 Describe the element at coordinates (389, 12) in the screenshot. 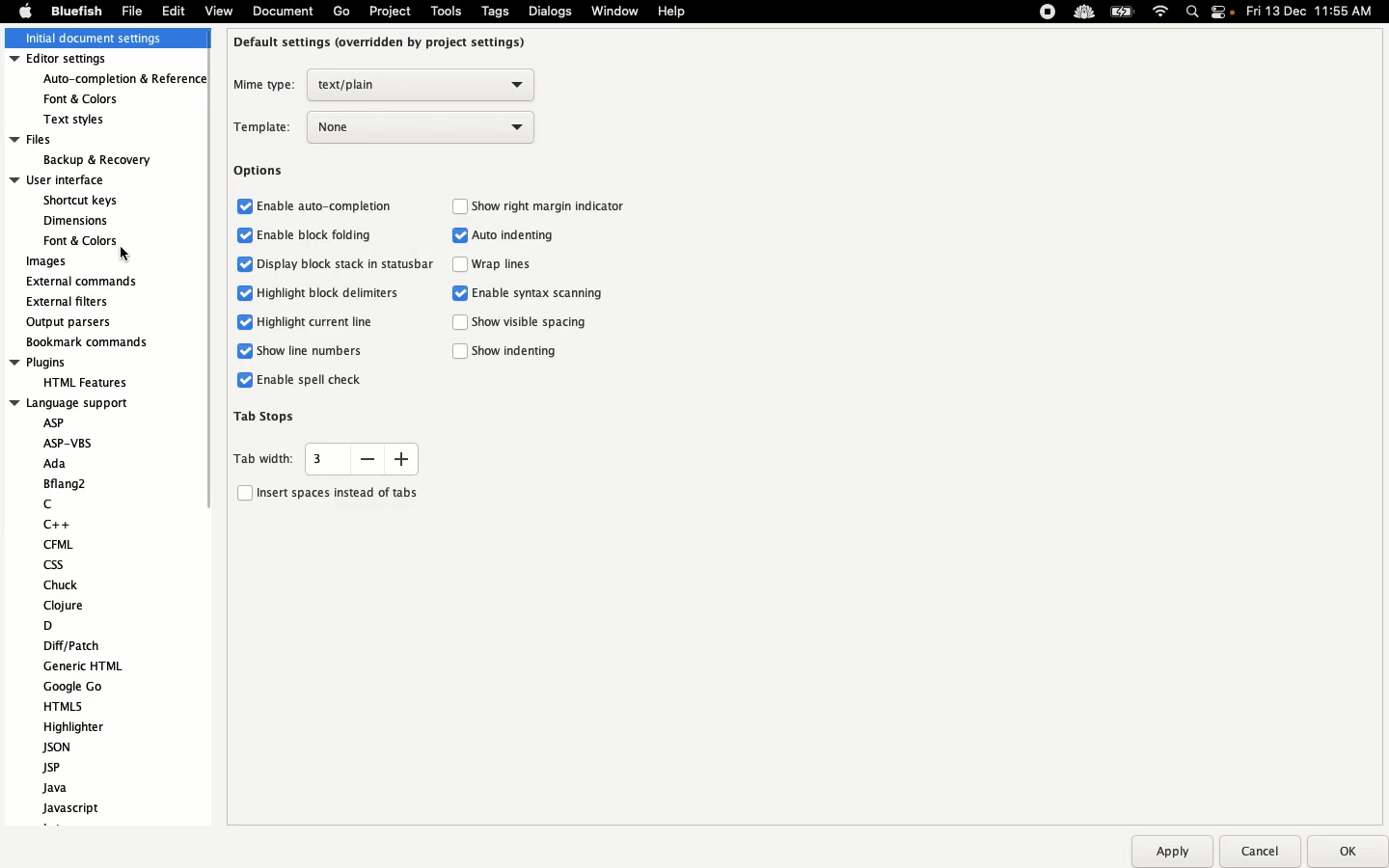

I see `Project` at that location.